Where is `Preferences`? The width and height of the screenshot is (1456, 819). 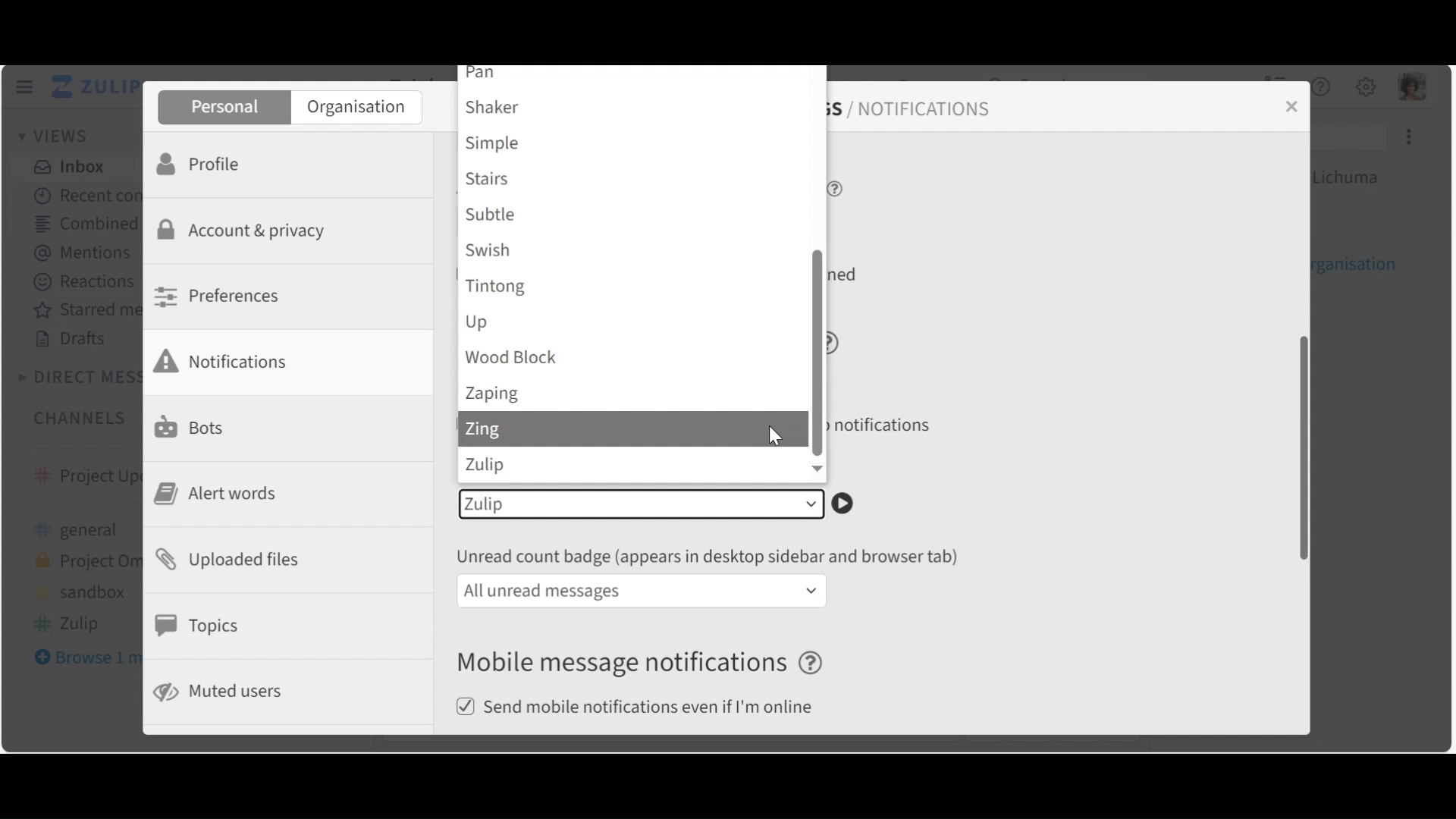 Preferences is located at coordinates (221, 296).